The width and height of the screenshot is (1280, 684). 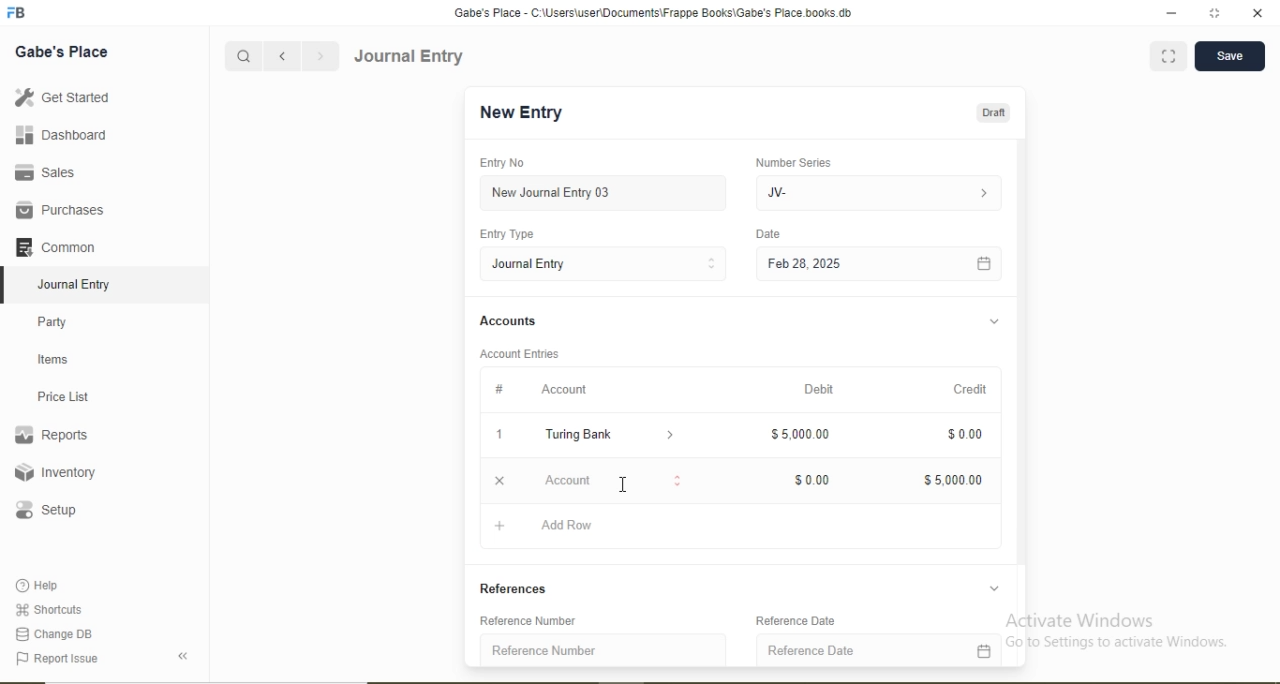 I want to click on Journal Entry, so click(x=531, y=264).